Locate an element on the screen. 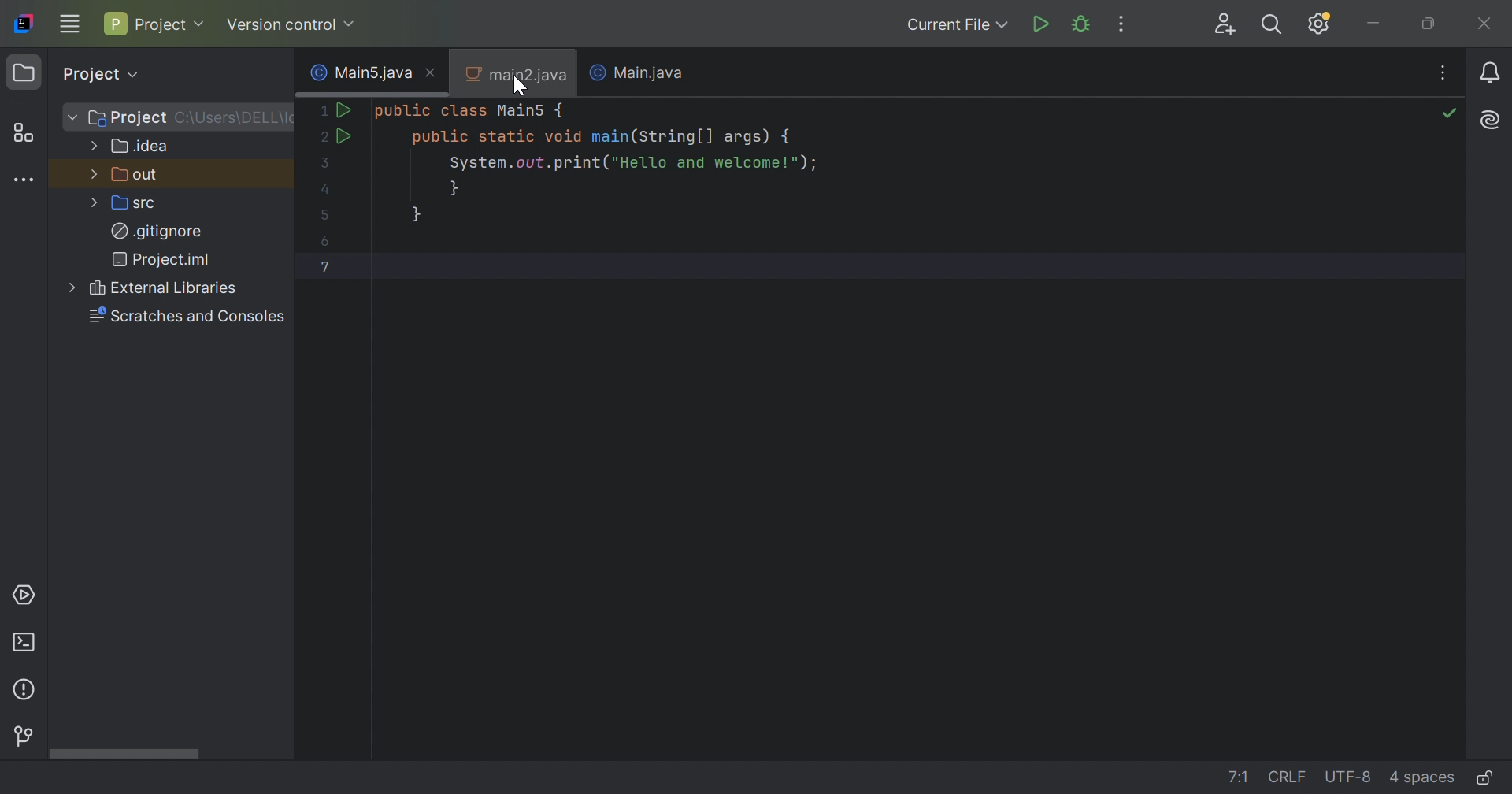  External Libraries is located at coordinates (165, 288).